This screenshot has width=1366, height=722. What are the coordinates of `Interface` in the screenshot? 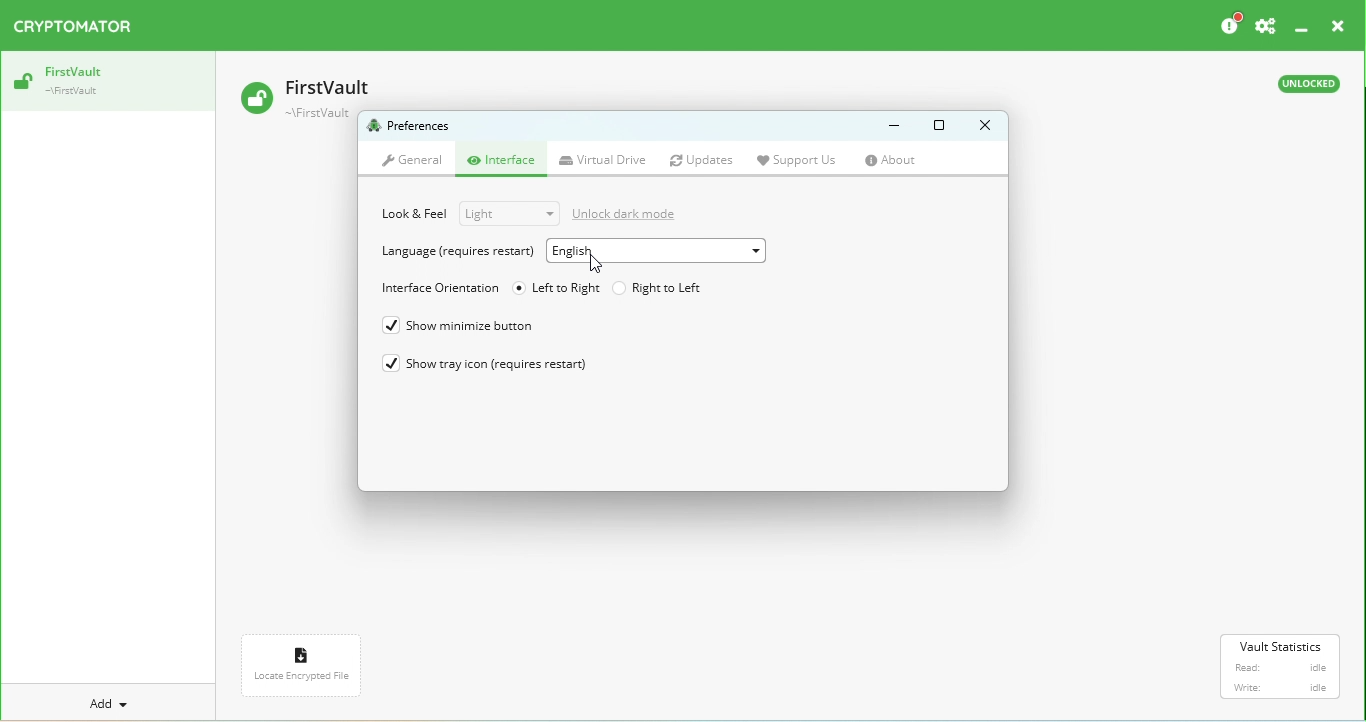 It's located at (506, 162).